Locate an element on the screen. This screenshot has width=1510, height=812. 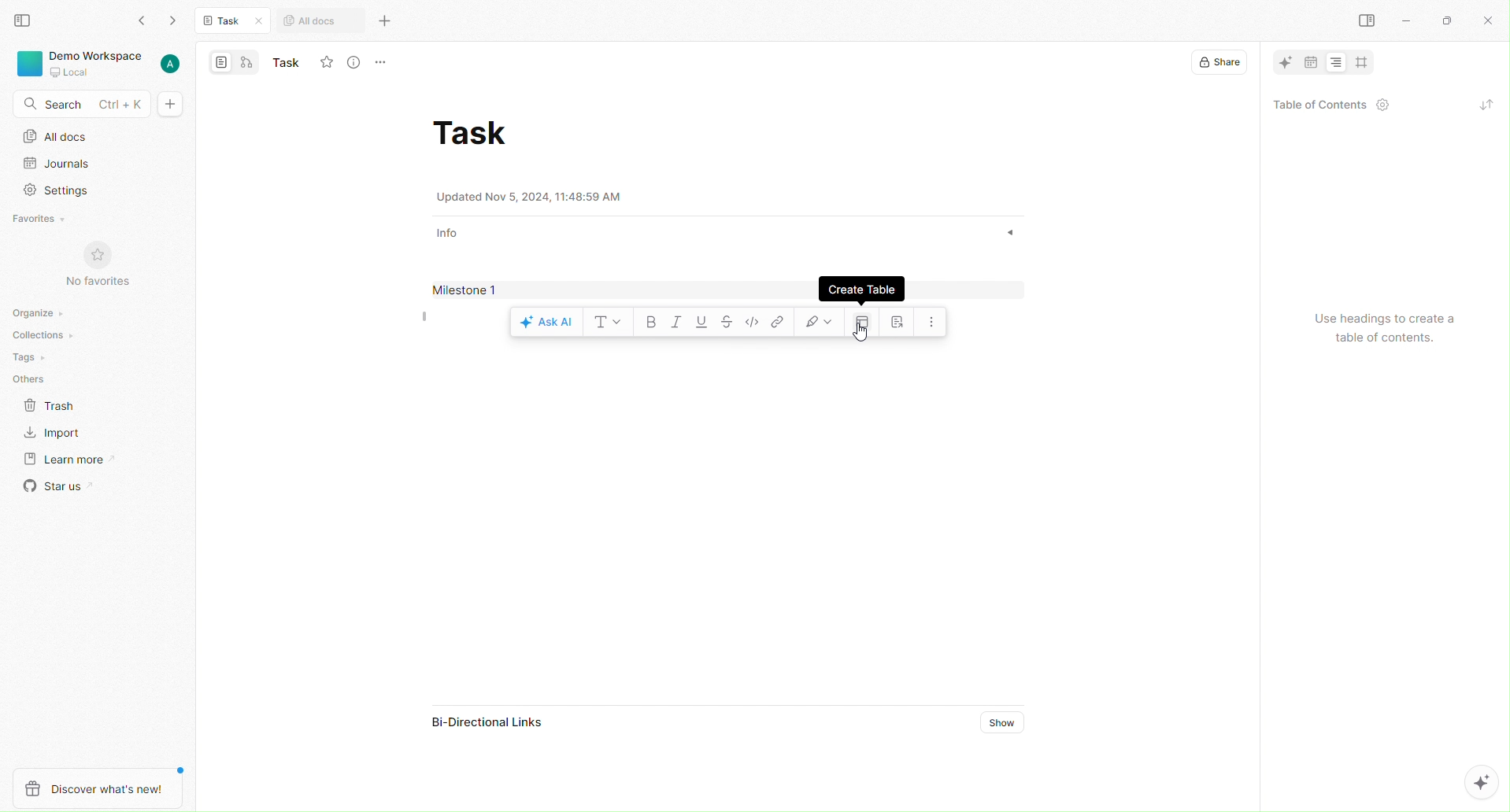
Options is located at coordinates (934, 322).